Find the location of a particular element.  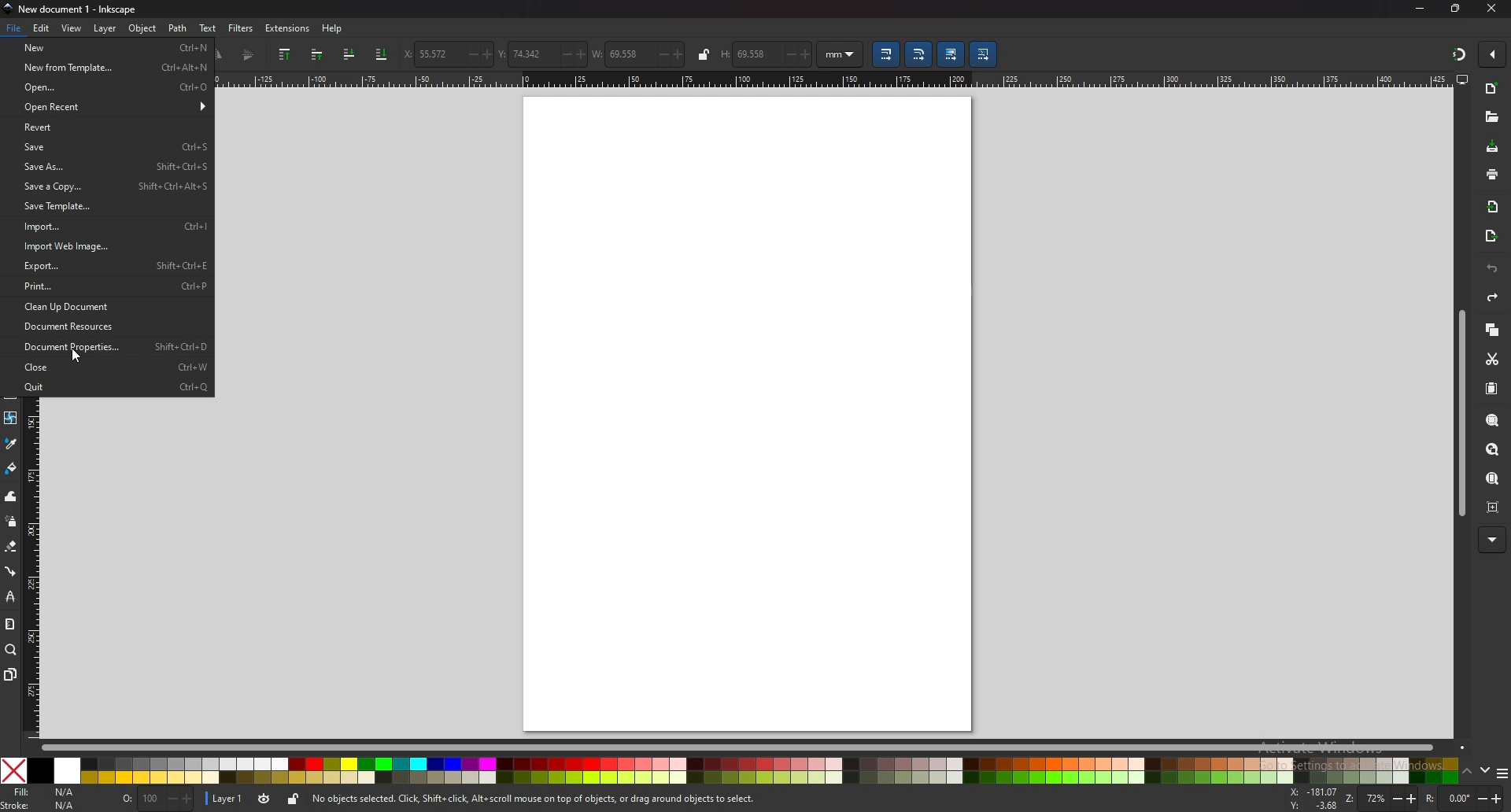

- is located at coordinates (1391, 798).